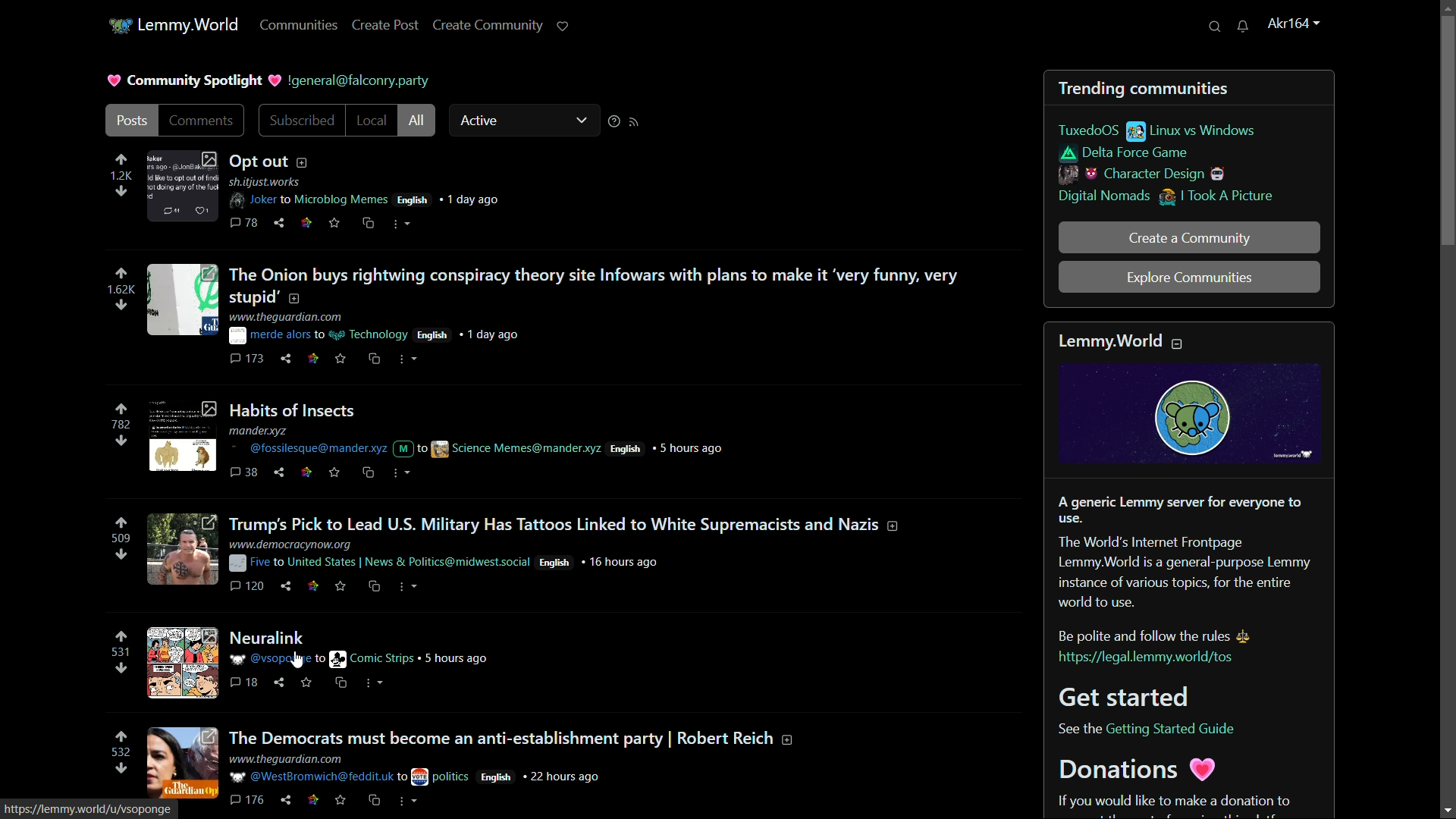 This screenshot has width=1456, height=819. I want to click on create a community, so click(1188, 239).